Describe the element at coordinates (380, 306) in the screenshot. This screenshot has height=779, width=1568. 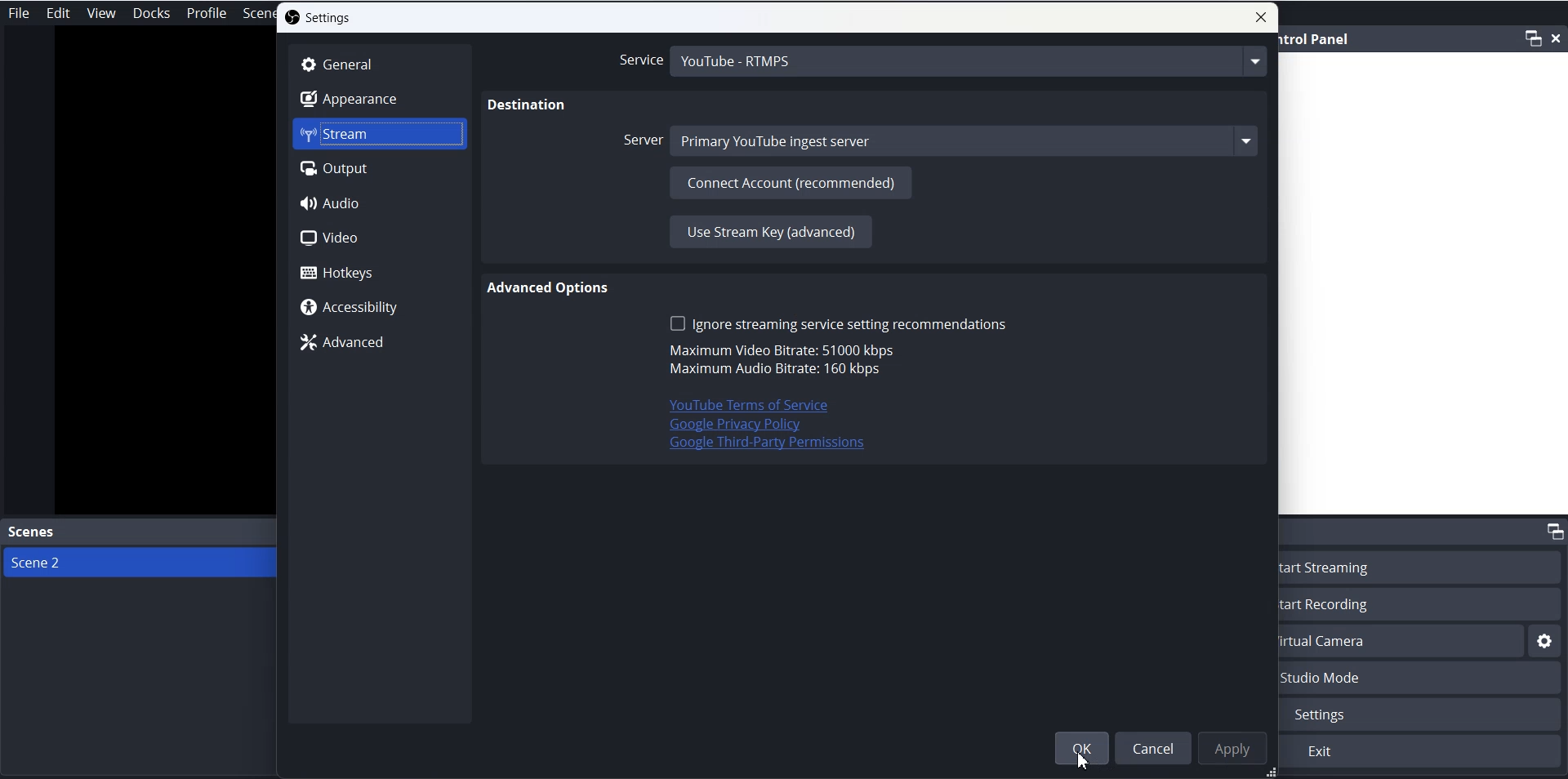
I see `Accessibility` at that location.